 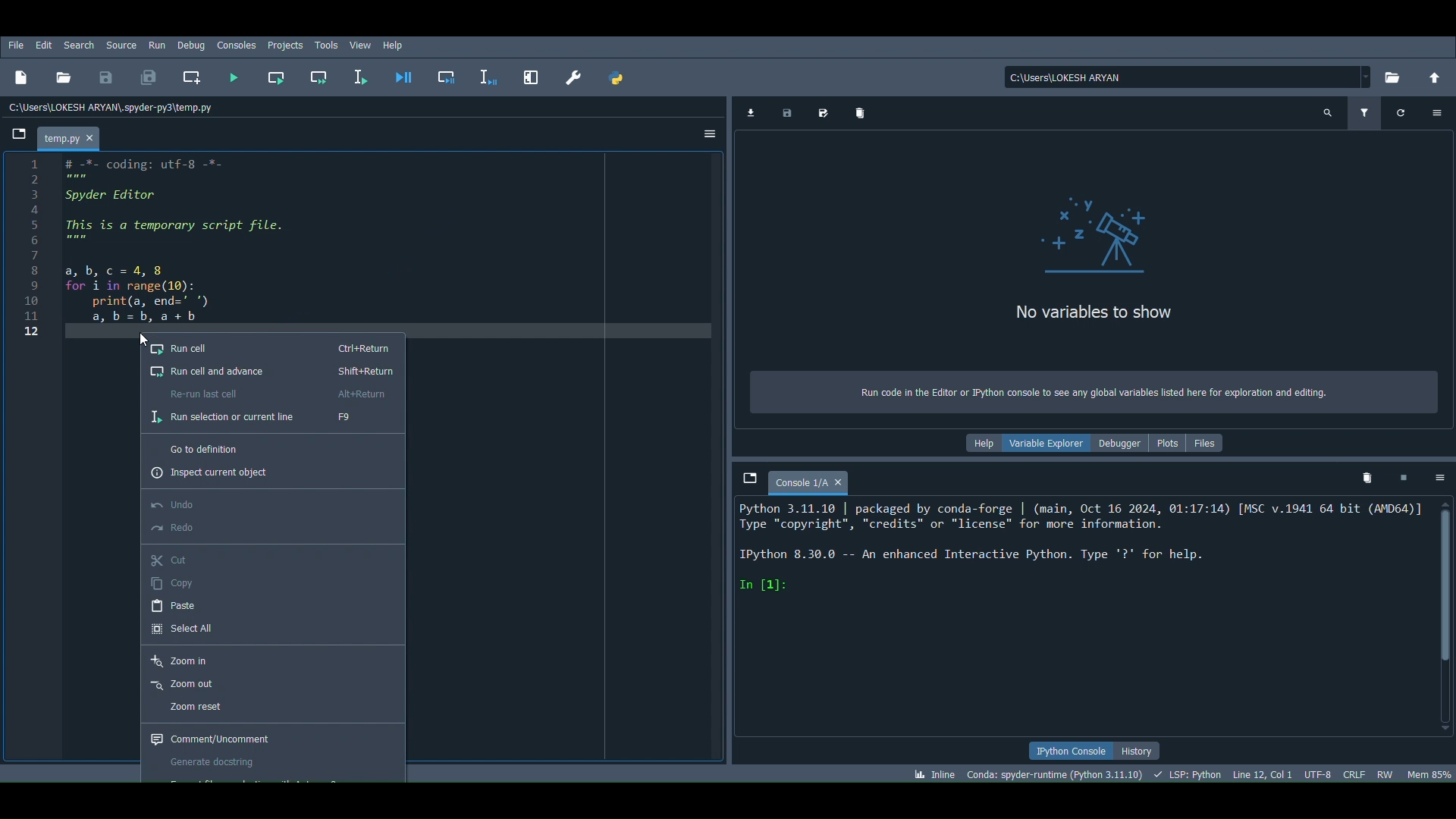 I want to click on Run current cell and go to the next one (Shift + Return), so click(x=322, y=75).